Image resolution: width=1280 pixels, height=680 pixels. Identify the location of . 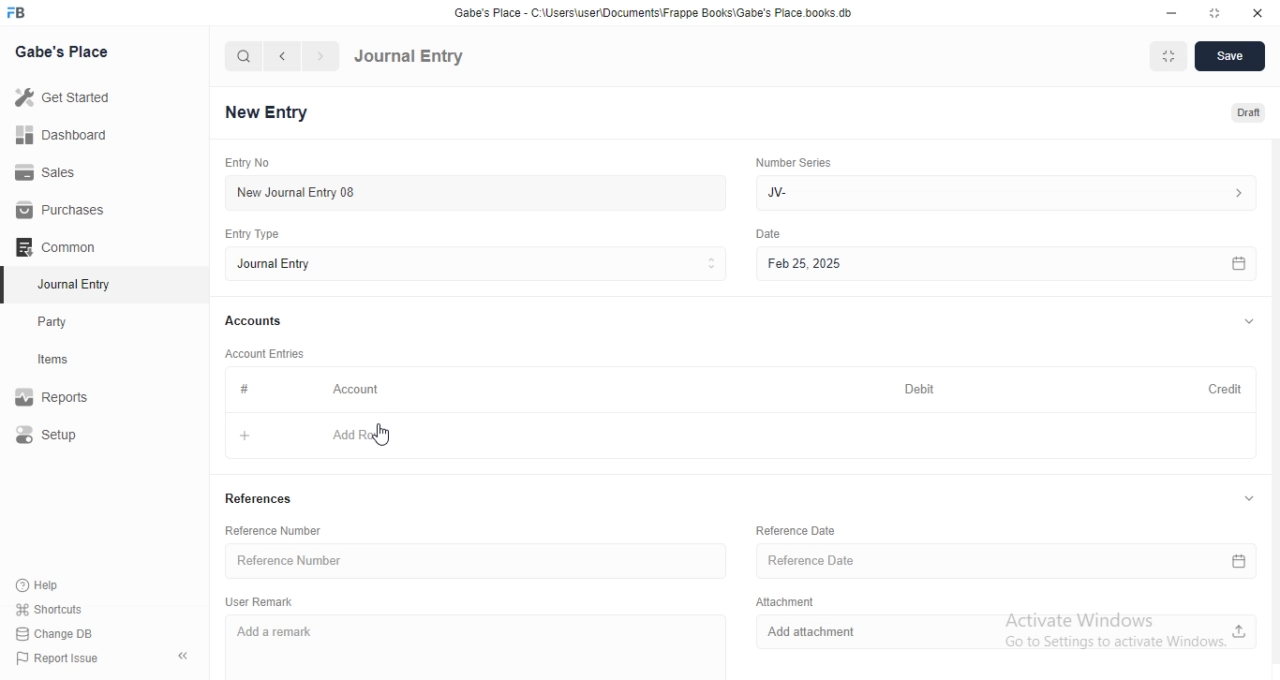
(768, 234).